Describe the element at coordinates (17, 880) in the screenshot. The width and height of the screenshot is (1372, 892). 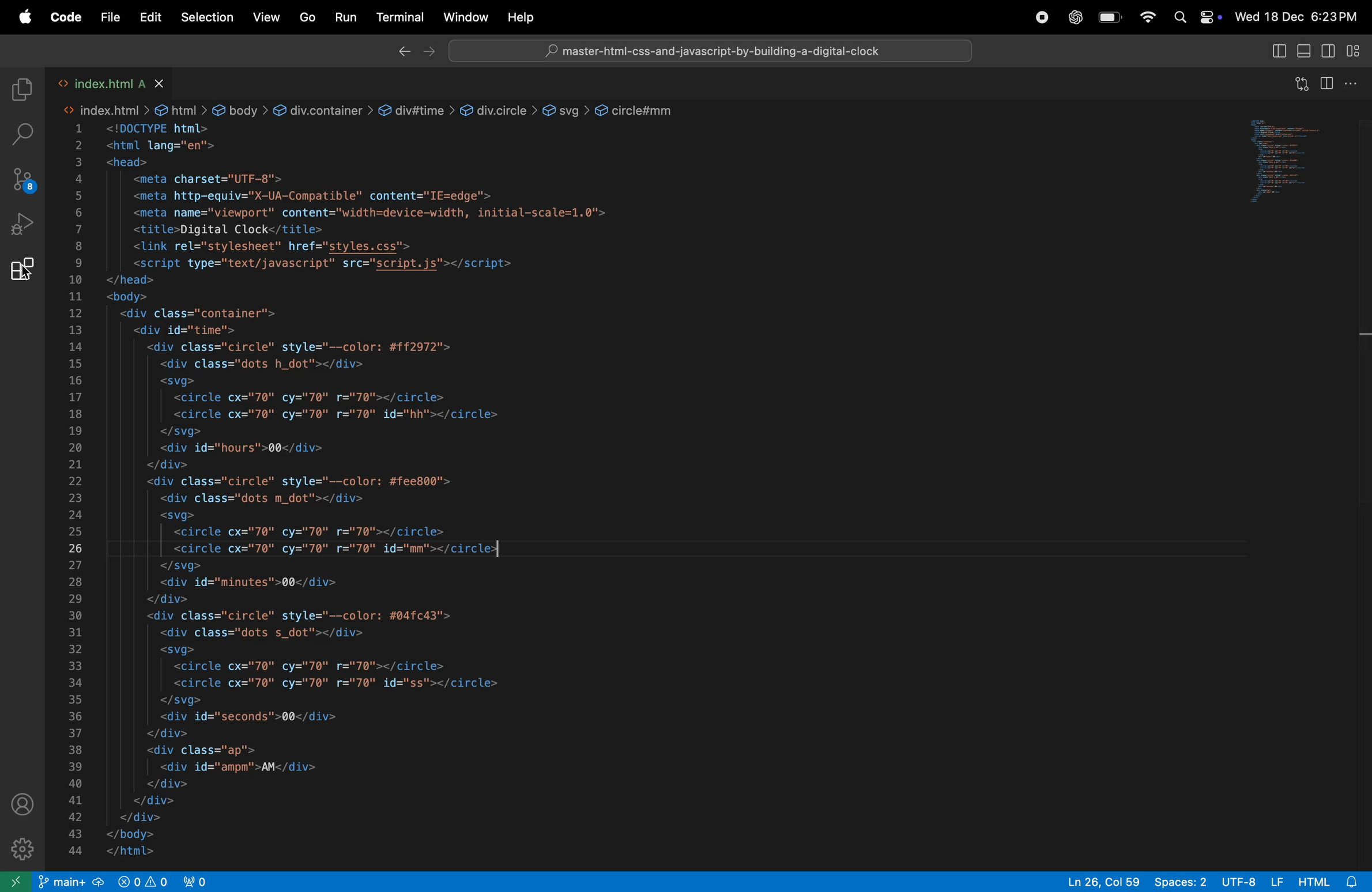
I see `open new window` at that location.